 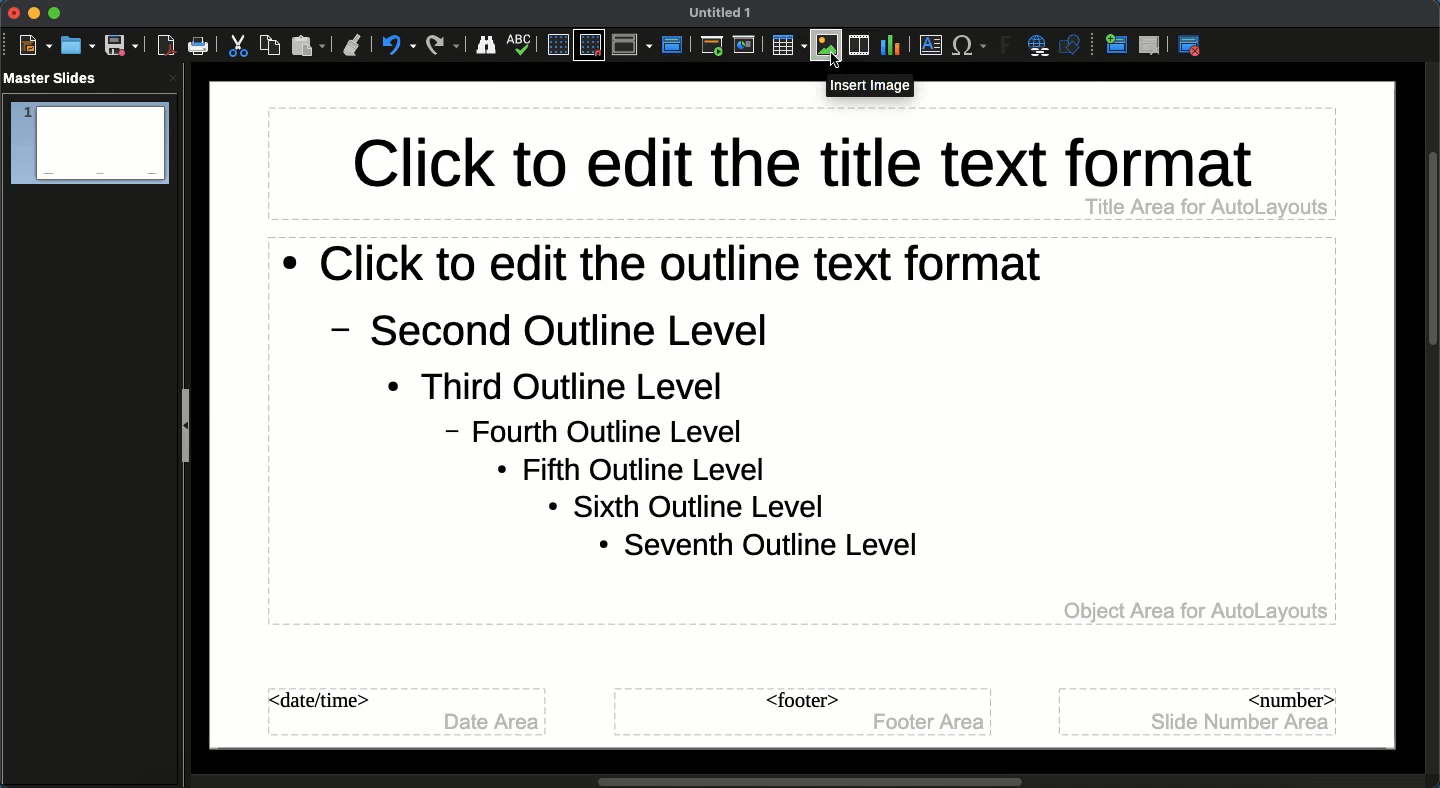 What do you see at coordinates (589, 45) in the screenshot?
I see `Snap to grid` at bounding box center [589, 45].